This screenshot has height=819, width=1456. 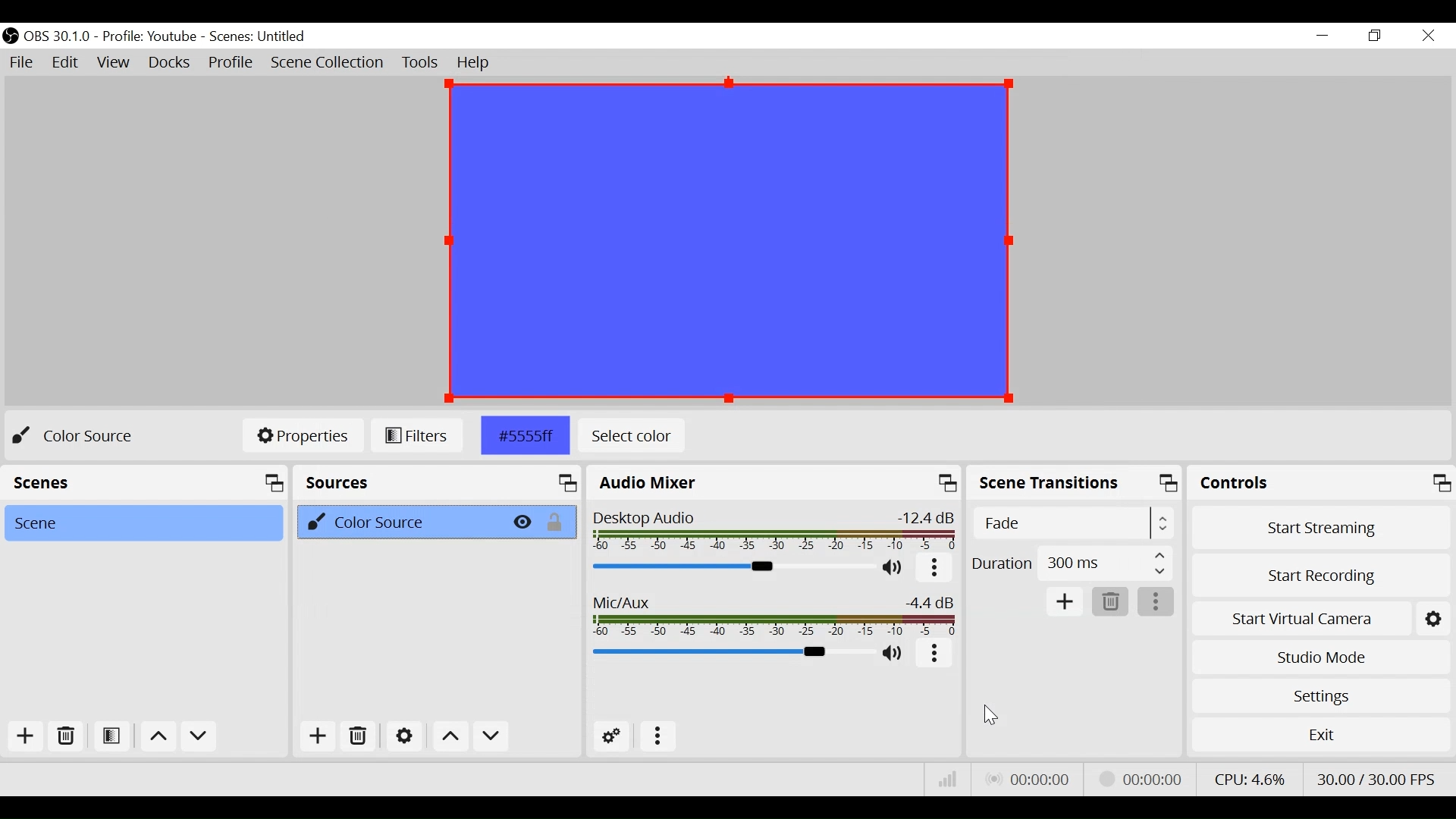 What do you see at coordinates (1321, 739) in the screenshot?
I see `Exit` at bounding box center [1321, 739].